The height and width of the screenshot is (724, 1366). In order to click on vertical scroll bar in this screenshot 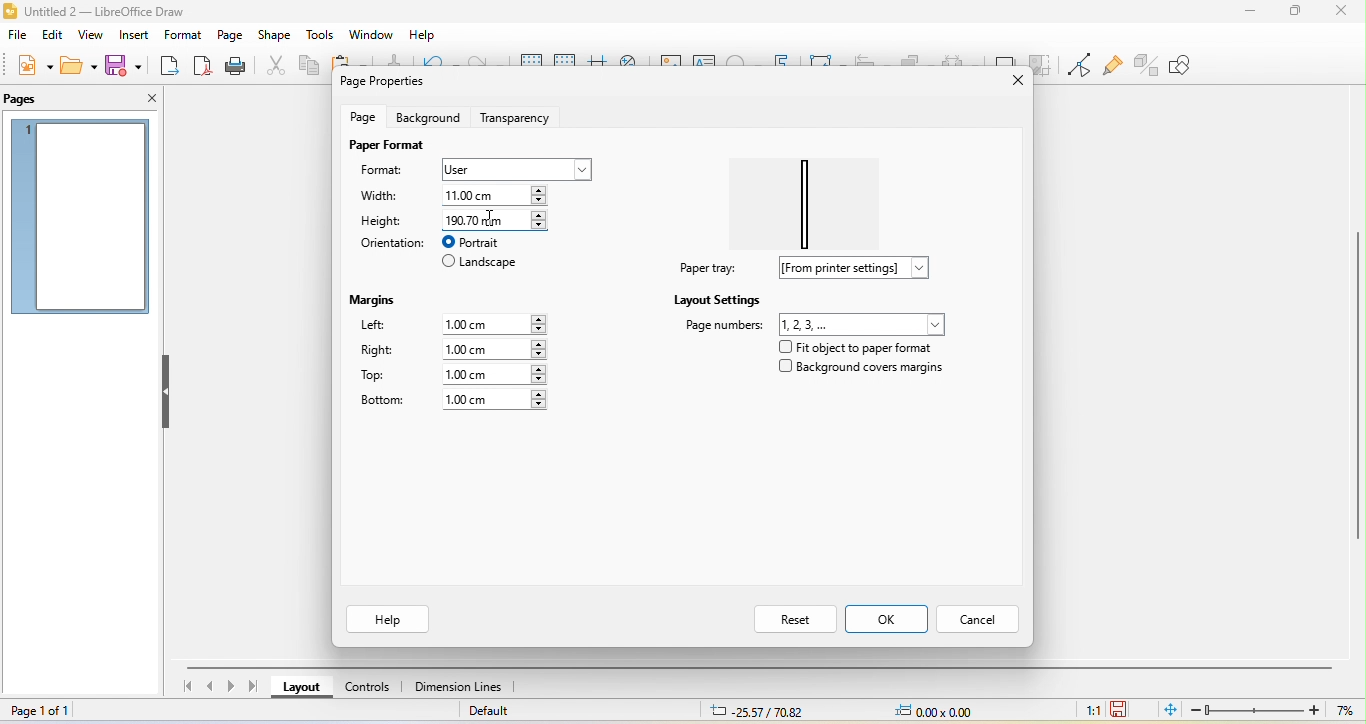, I will do `click(1357, 380)`.